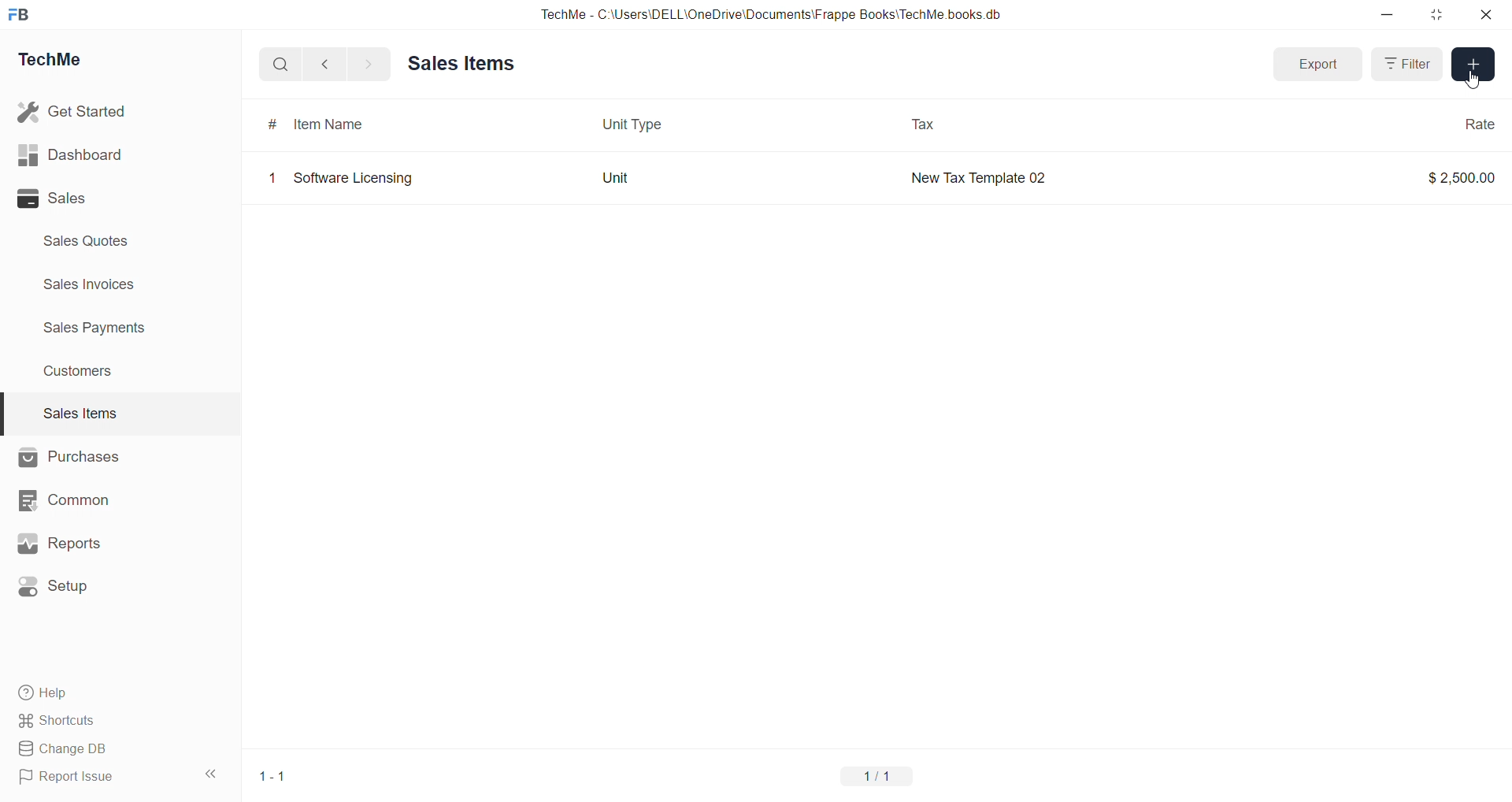 Image resolution: width=1512 pixels, height=802 pixels. Describe the element at coordinates (631, 124) in the screenshot. I see `Unit Type` at that location.